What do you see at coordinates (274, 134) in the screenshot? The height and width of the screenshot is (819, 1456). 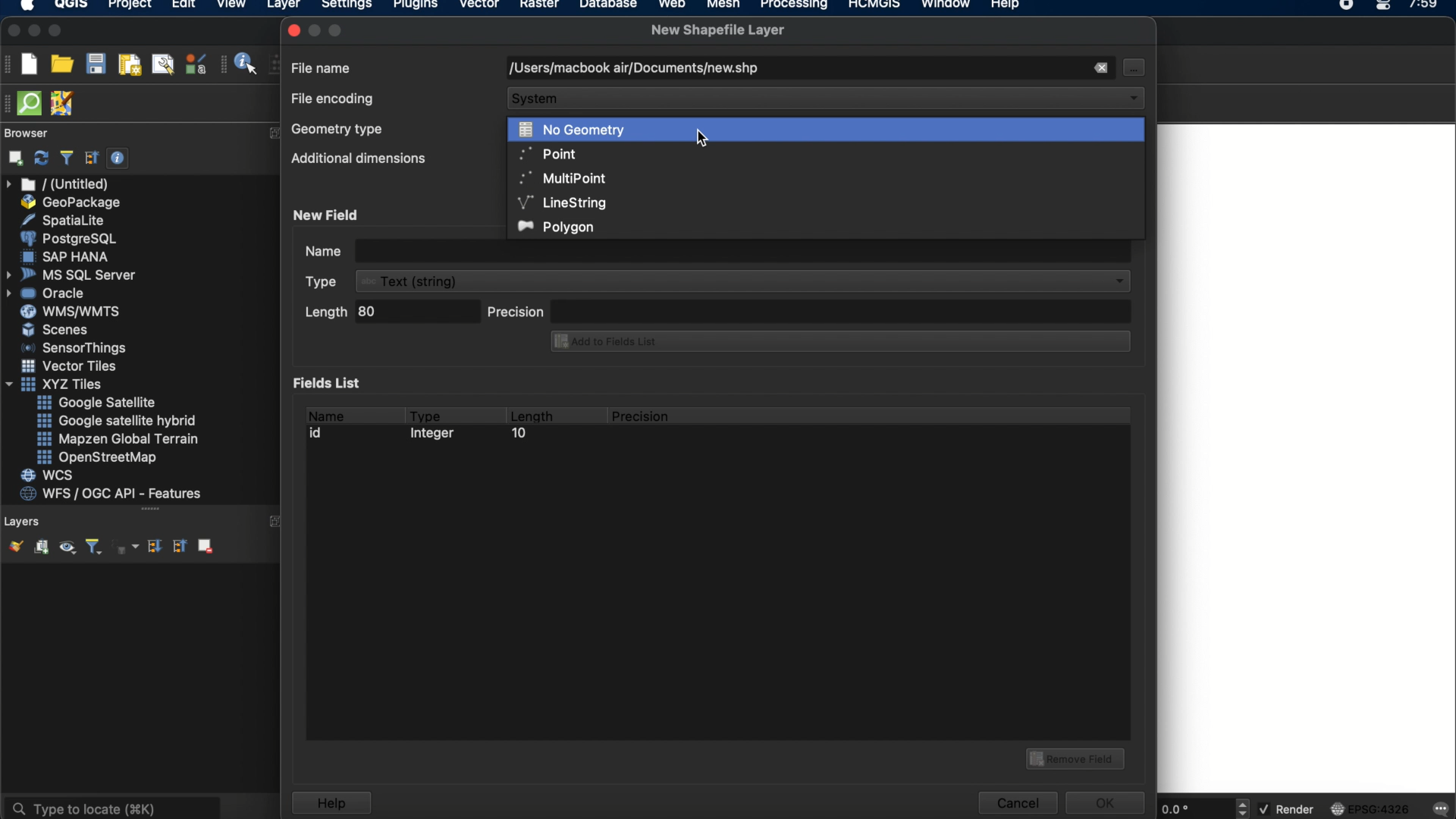 I see `expand` at bounding box center [274, 134].